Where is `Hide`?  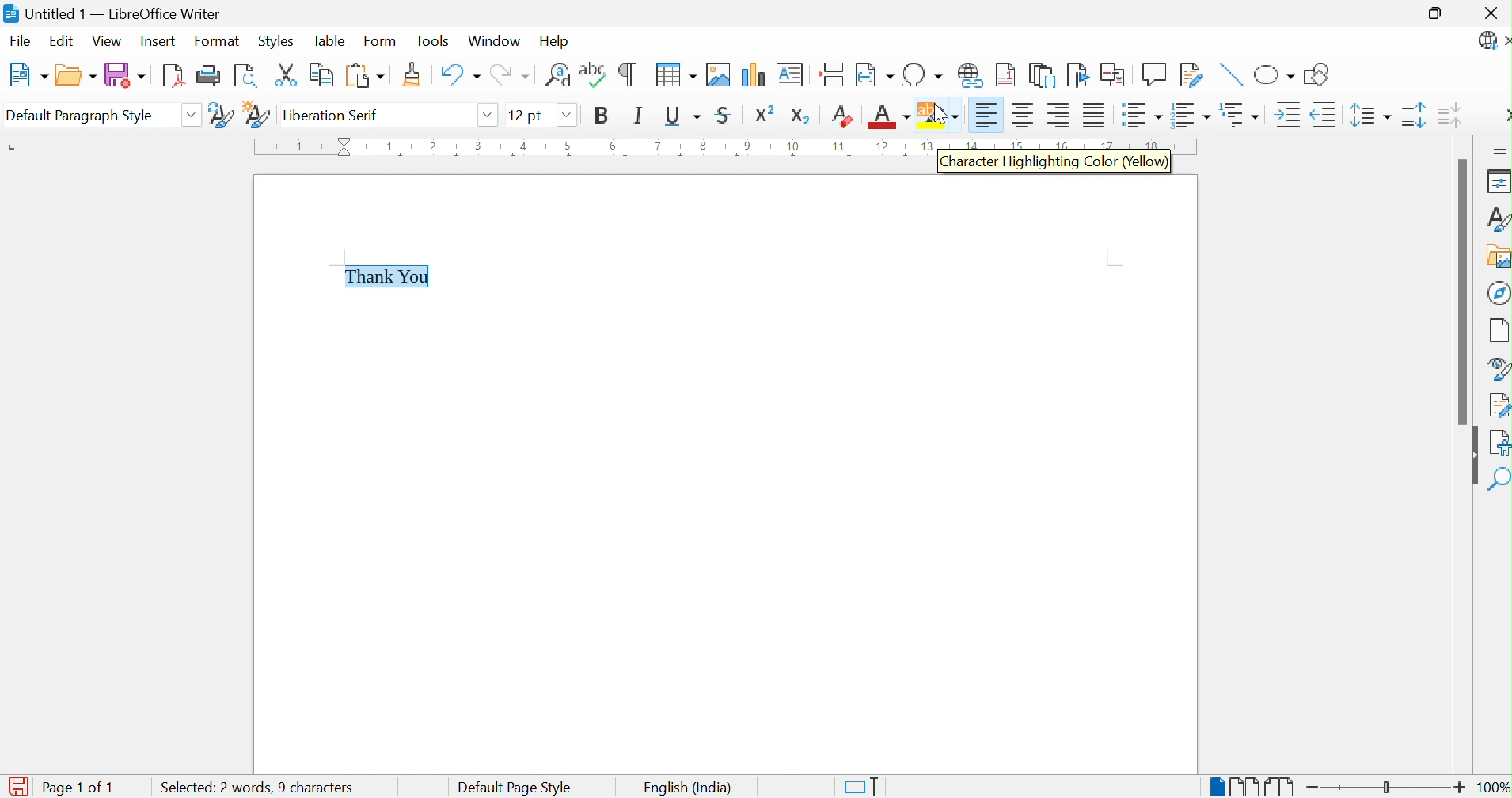
Hide is located at coordinates (1471, 456).